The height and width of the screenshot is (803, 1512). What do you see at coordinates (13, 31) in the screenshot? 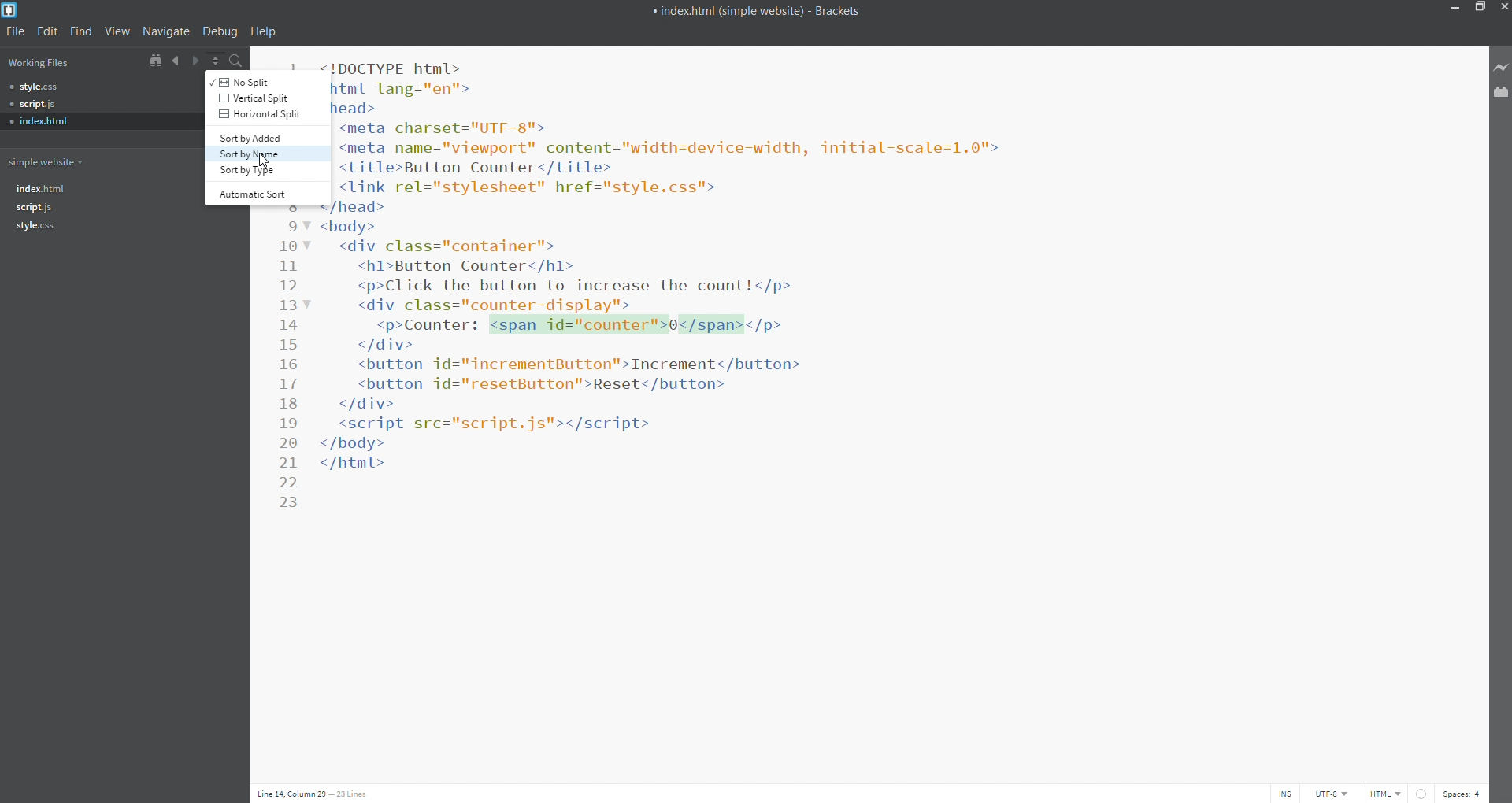
I see `file` at bounding box center [13, 31].